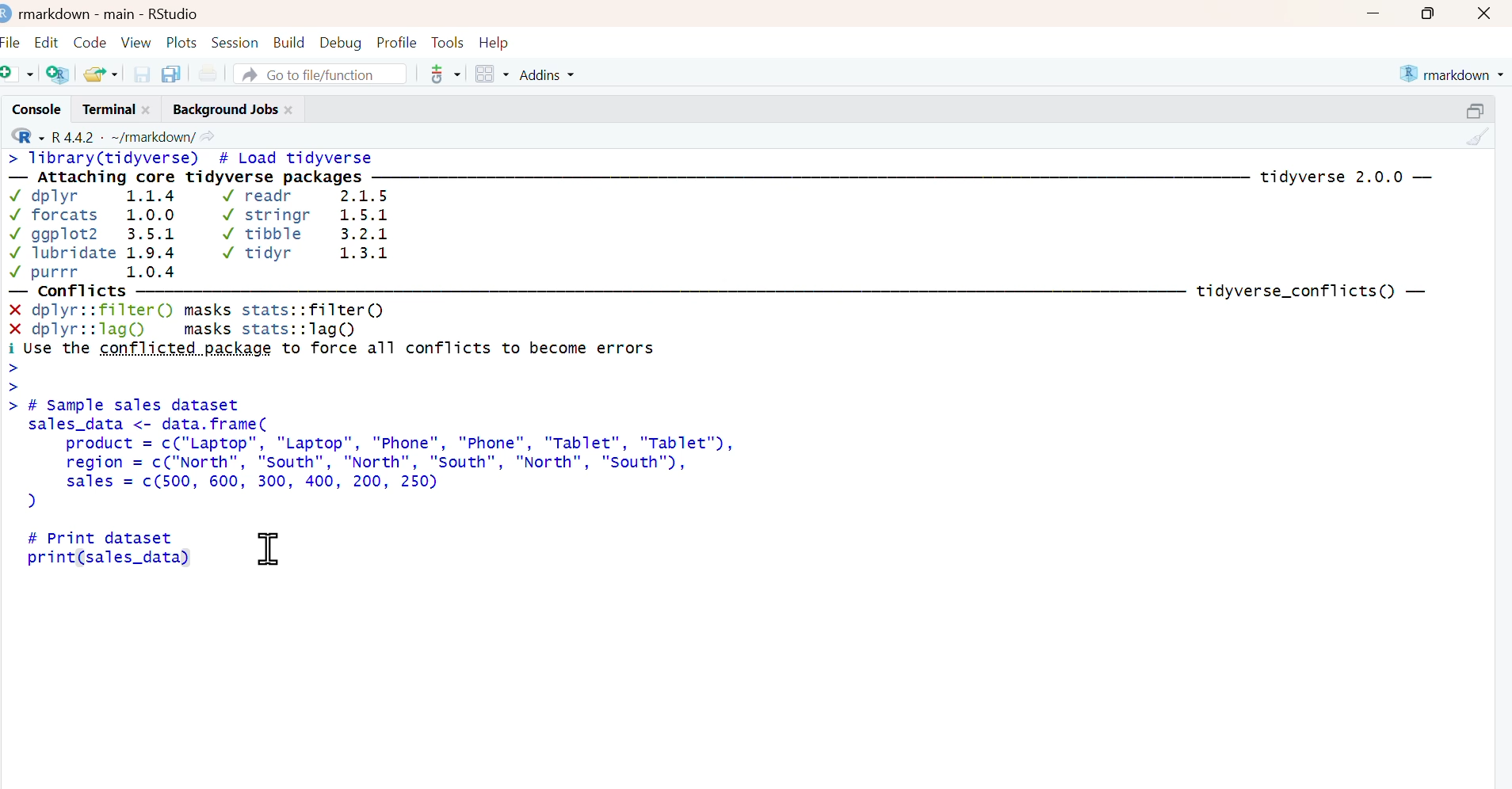  Describe the element at coordinates (1434, 13) in the screenshot. I see `maximize` at that location.